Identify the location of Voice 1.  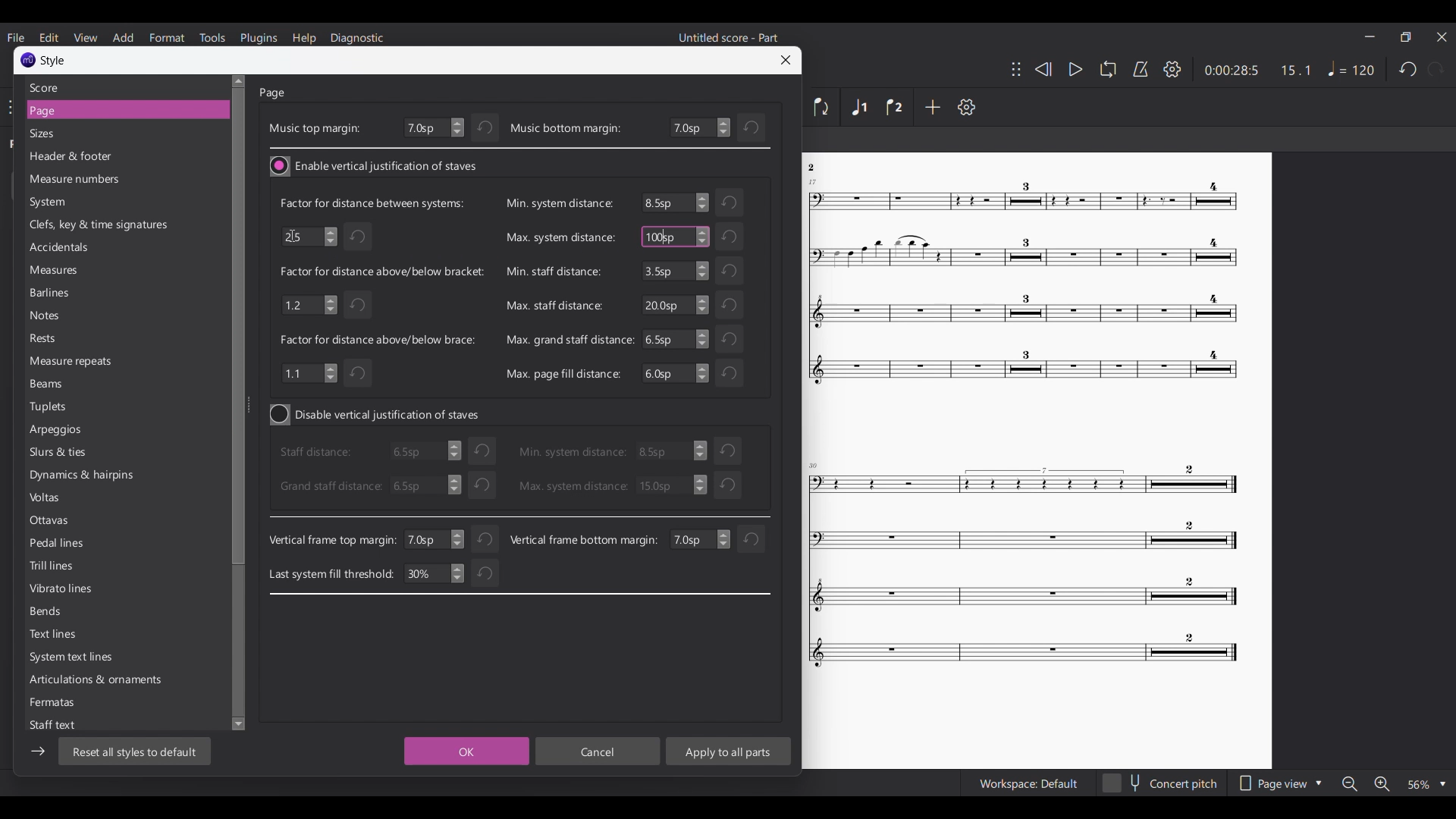
(858, 107).